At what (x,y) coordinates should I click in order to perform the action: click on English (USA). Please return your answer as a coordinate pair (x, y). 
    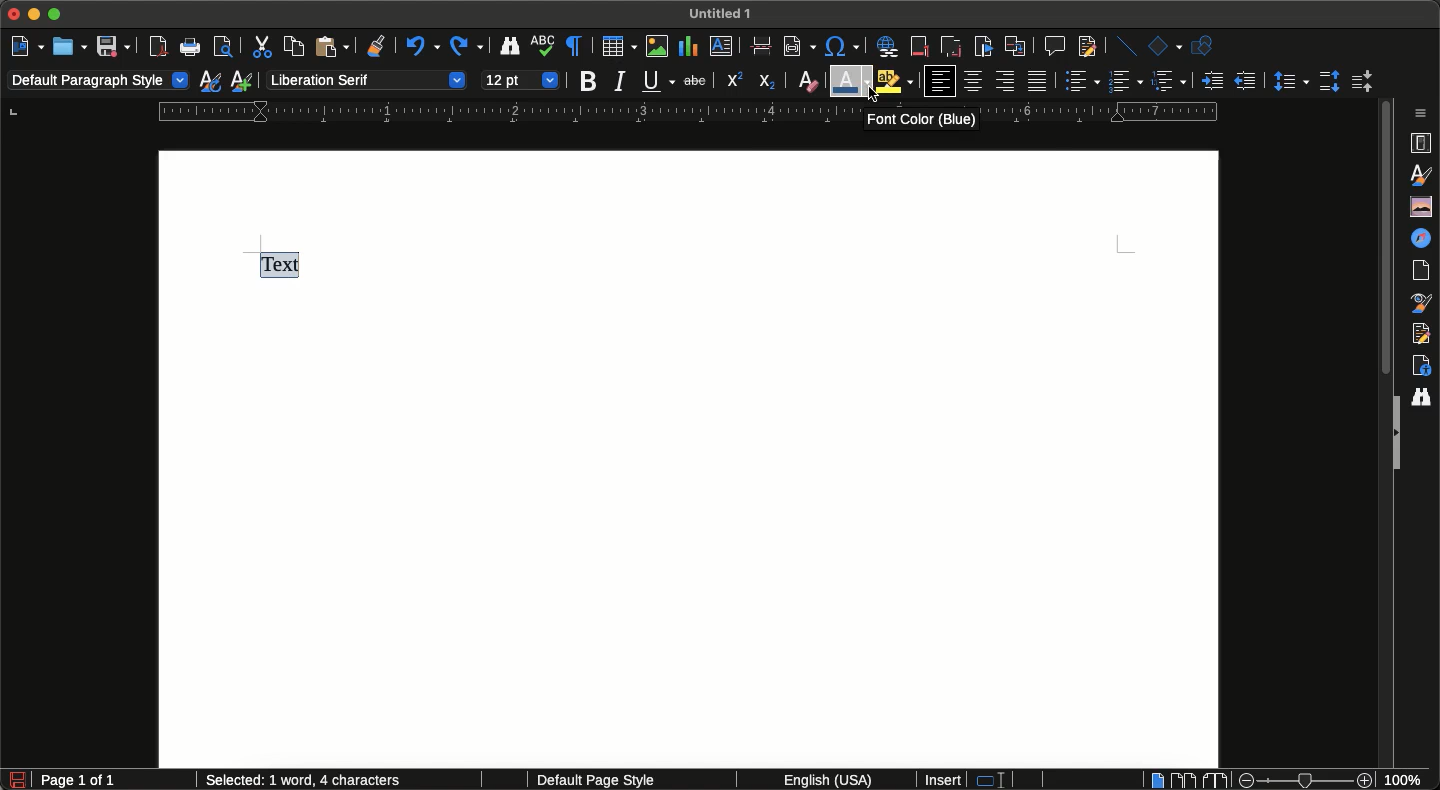
    Looking at the image, I should click on (820, 780).